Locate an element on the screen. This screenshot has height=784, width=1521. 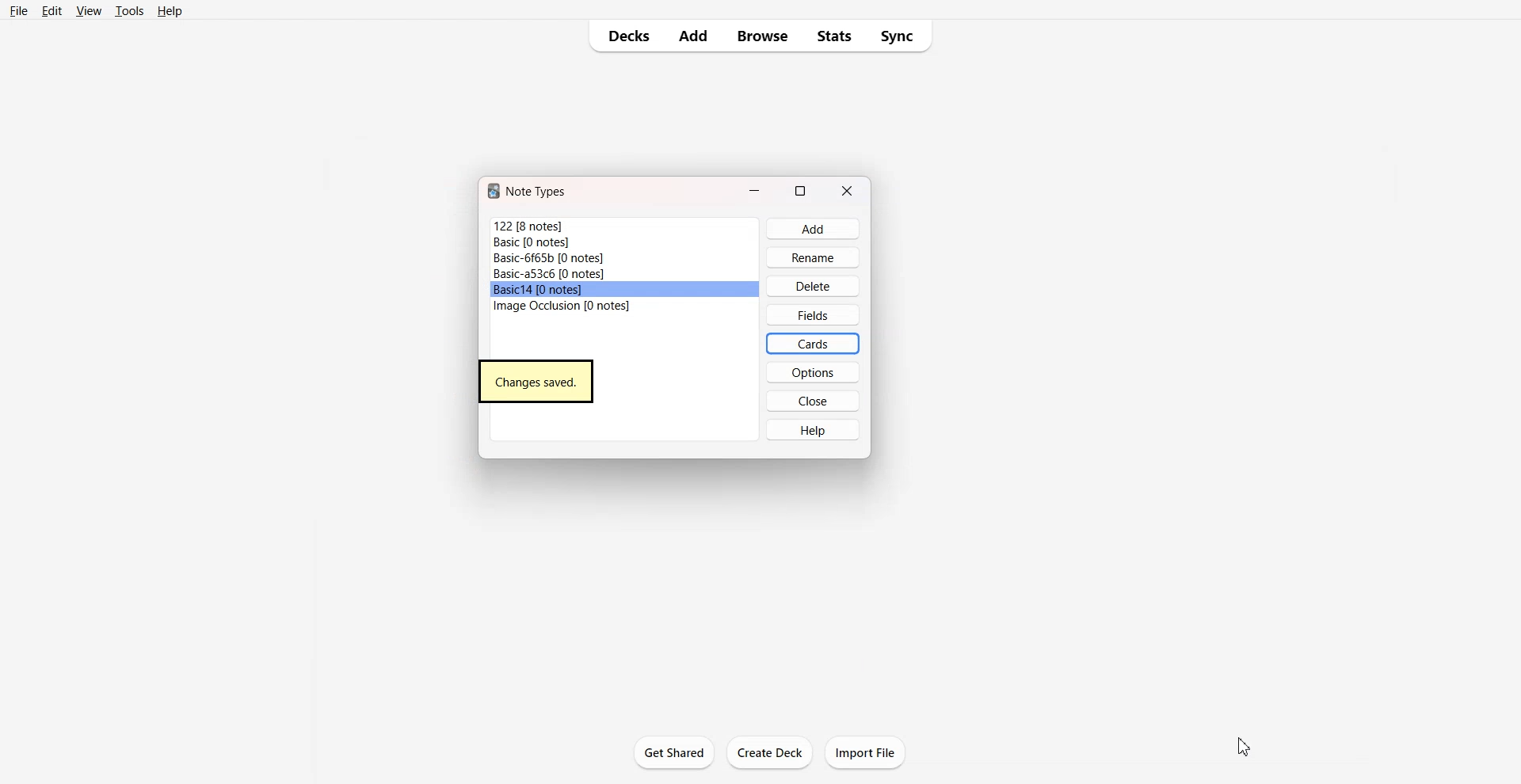
Fields is located at coordinates (814, 314).